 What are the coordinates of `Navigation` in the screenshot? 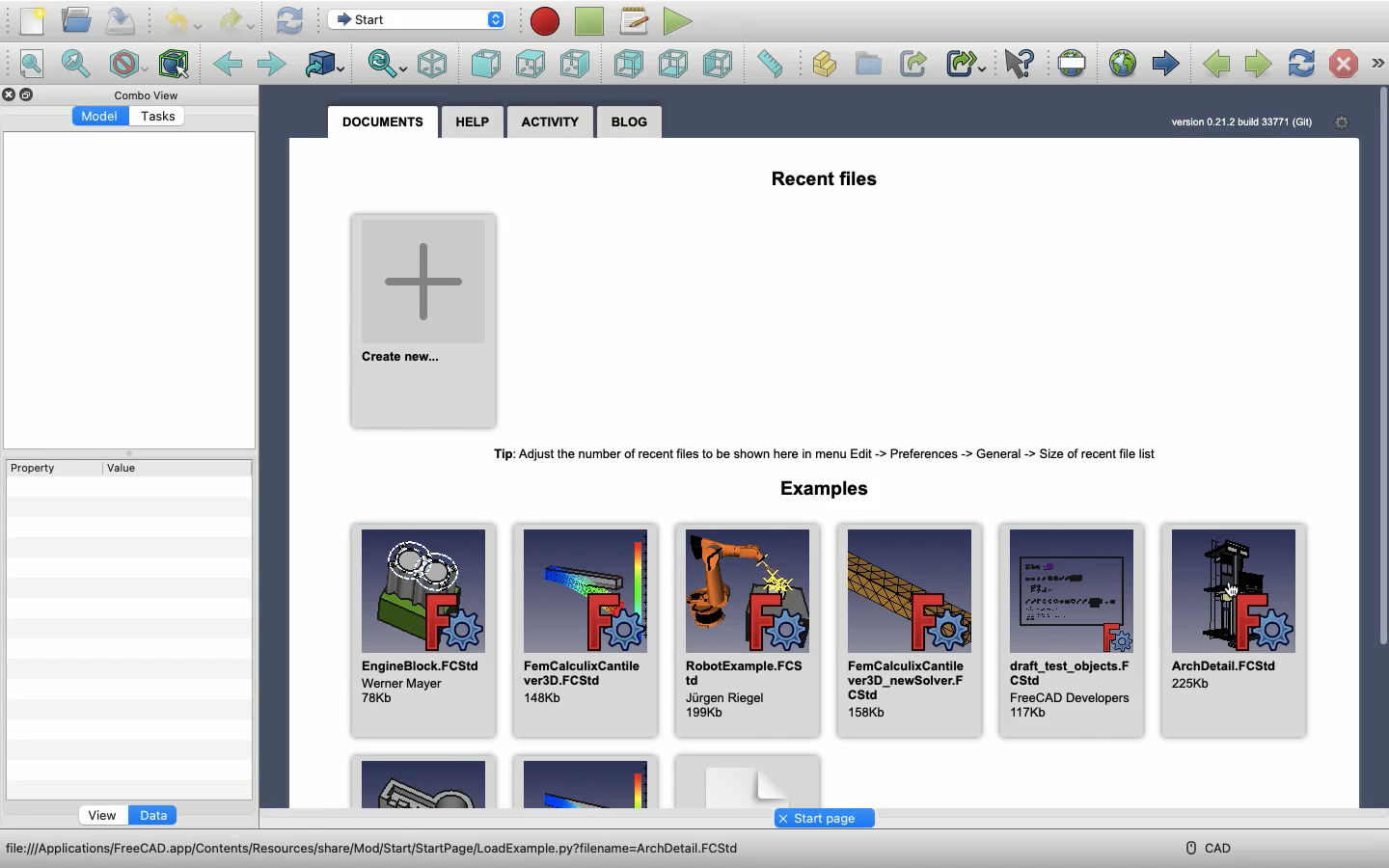 It's located at (1376, 64).